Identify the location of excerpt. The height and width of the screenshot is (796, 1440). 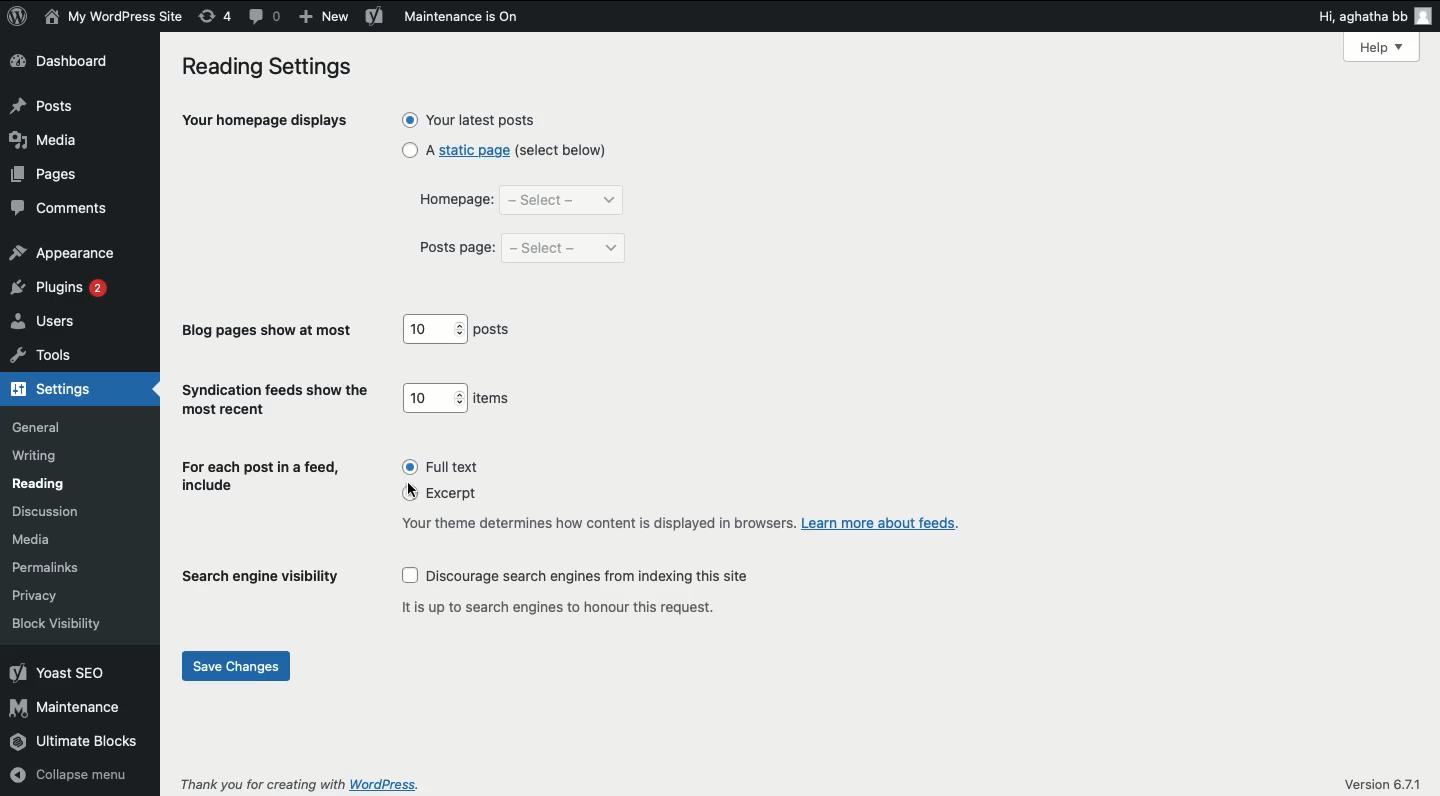
(441, 493).